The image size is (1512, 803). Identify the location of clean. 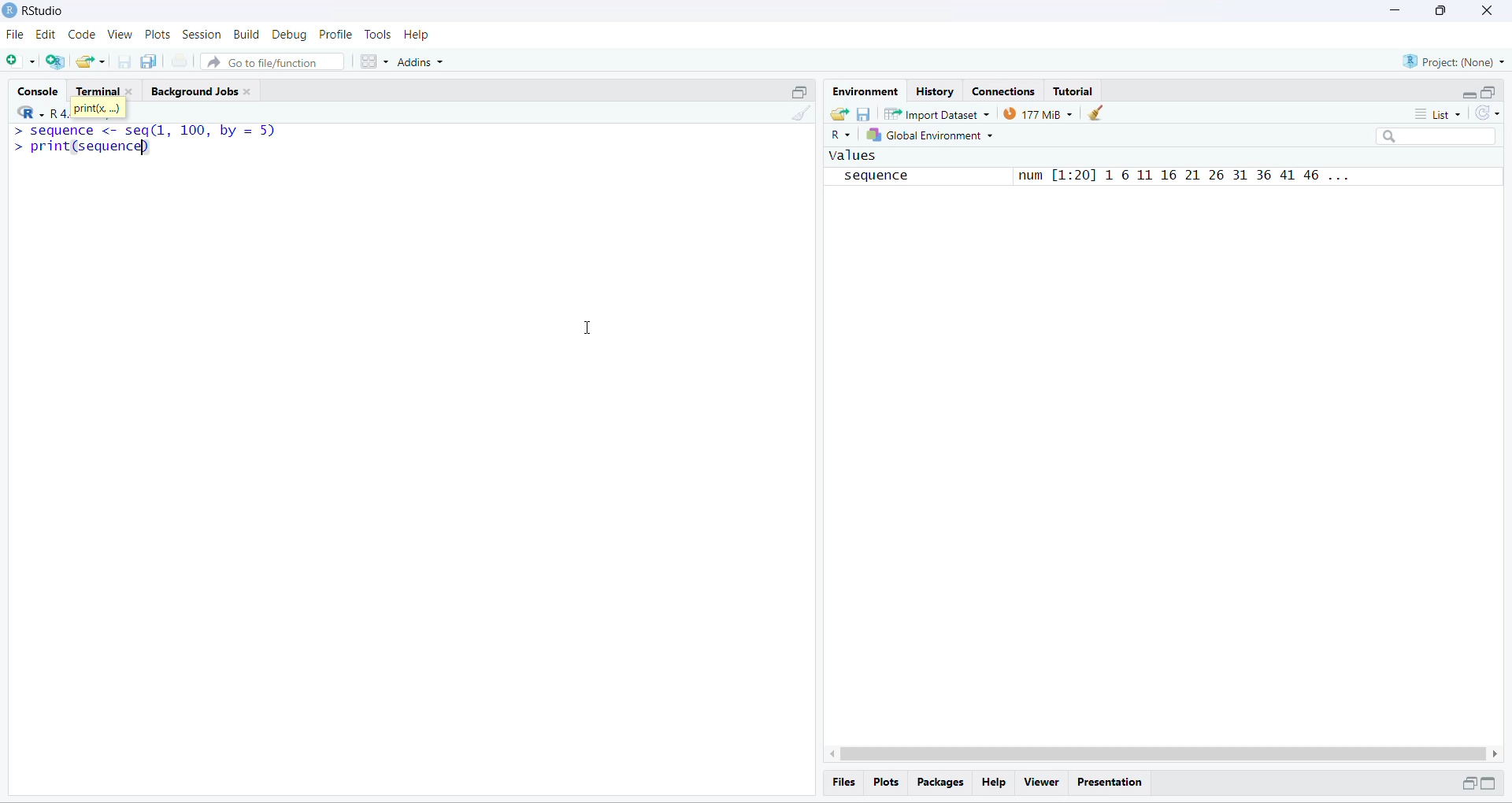
(1095, 113).